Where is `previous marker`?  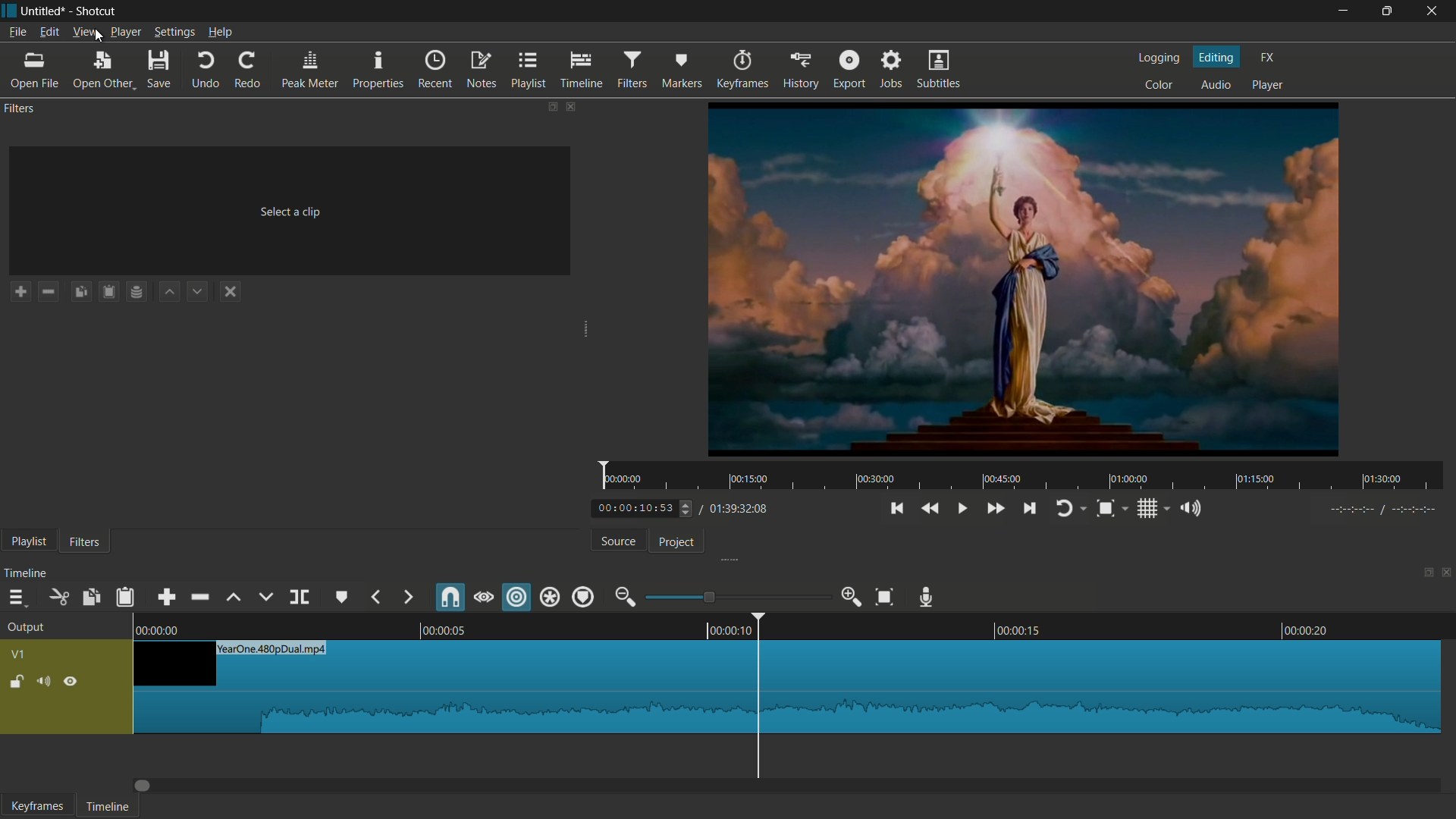 previous marker is located at coordinates (377, 598).